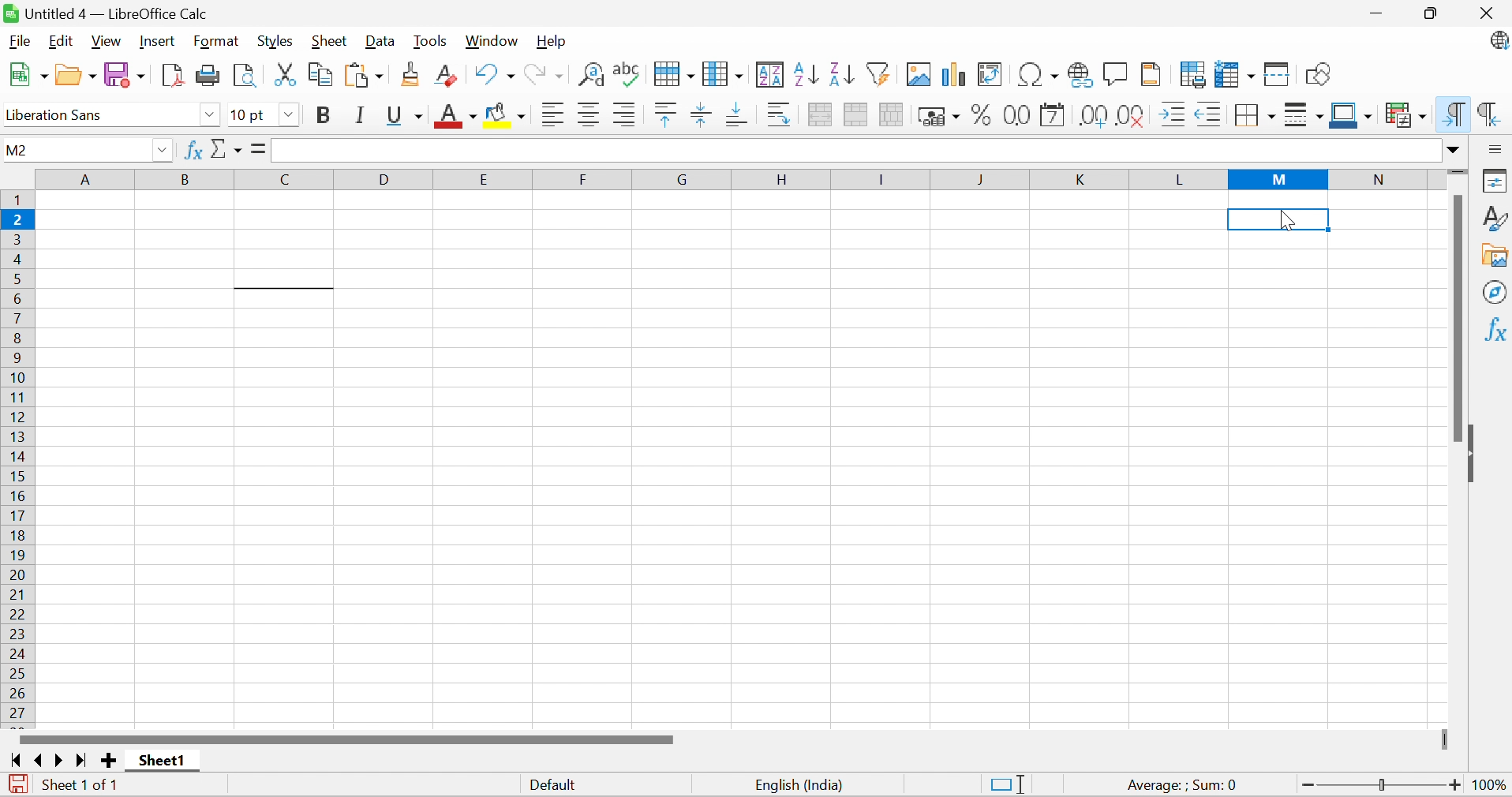 The height and width of the screenshot is (797, 1512). What do you see at coordinates (780, 115) in the screenshot?
I see `Wrap text` at bounding box center [780, 115].